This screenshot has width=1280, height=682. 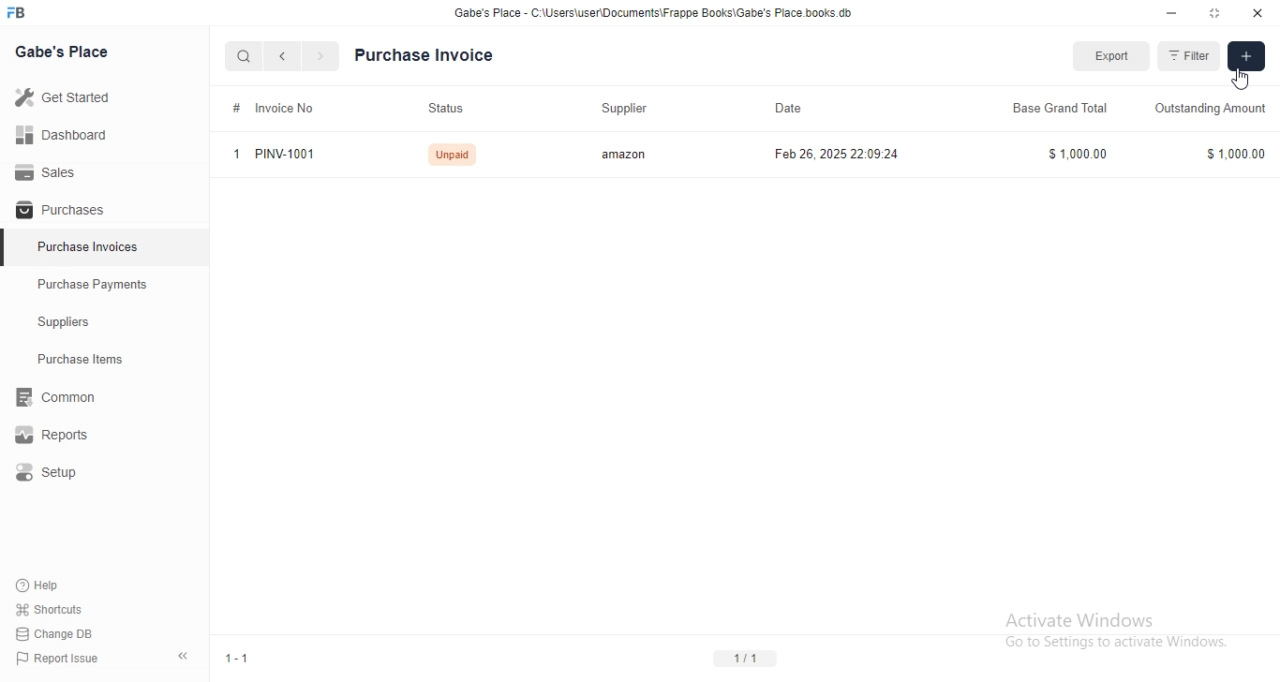 What do you see at coordinates (104, 208) in the screenshot?
I see `Purchases` at bounding box center [104, 208].